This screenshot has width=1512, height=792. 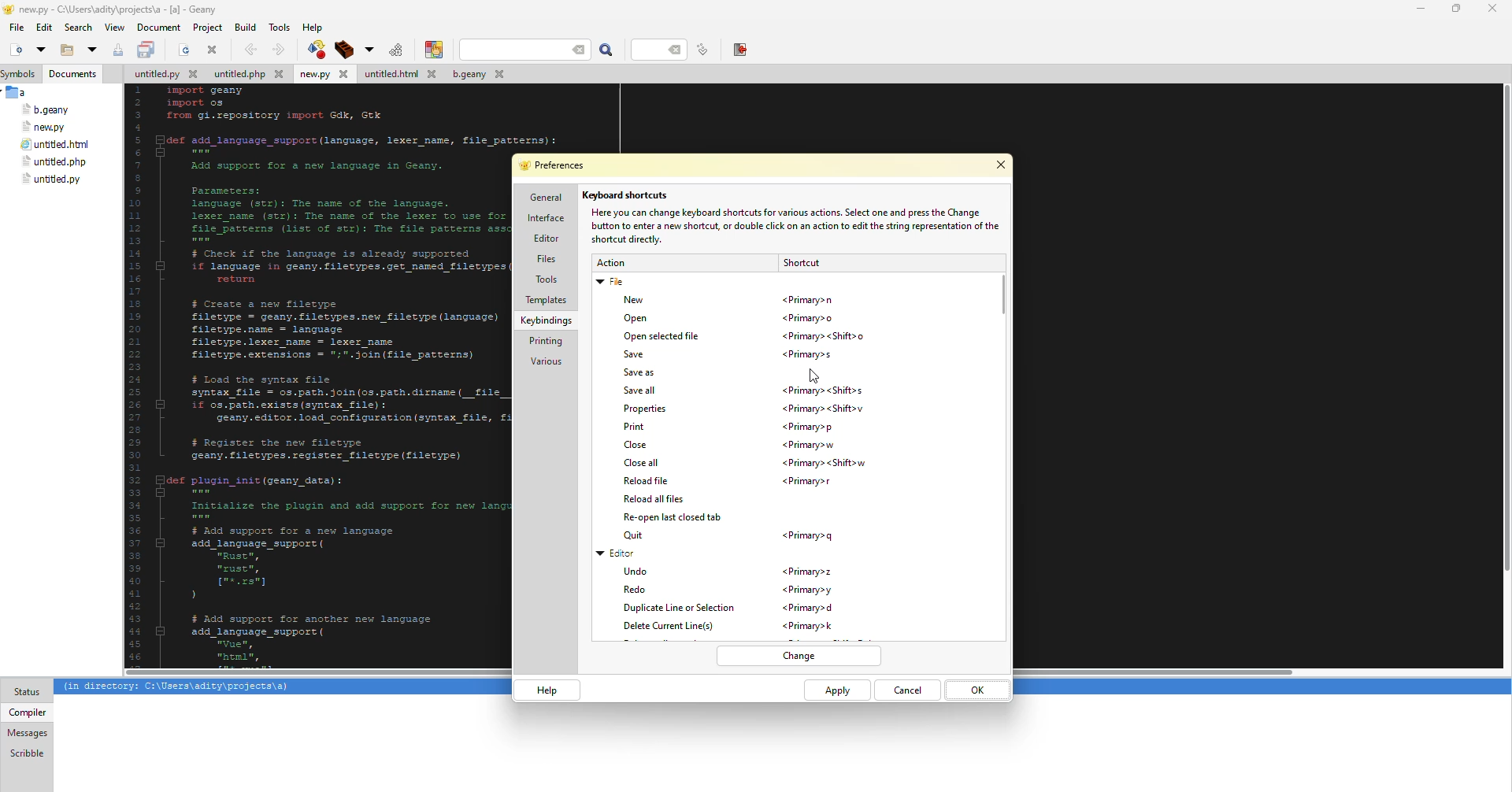 What do you see at coordinates (810, 626) in the screenshot?
I see `shortcut` at bounding box center [810, 626].